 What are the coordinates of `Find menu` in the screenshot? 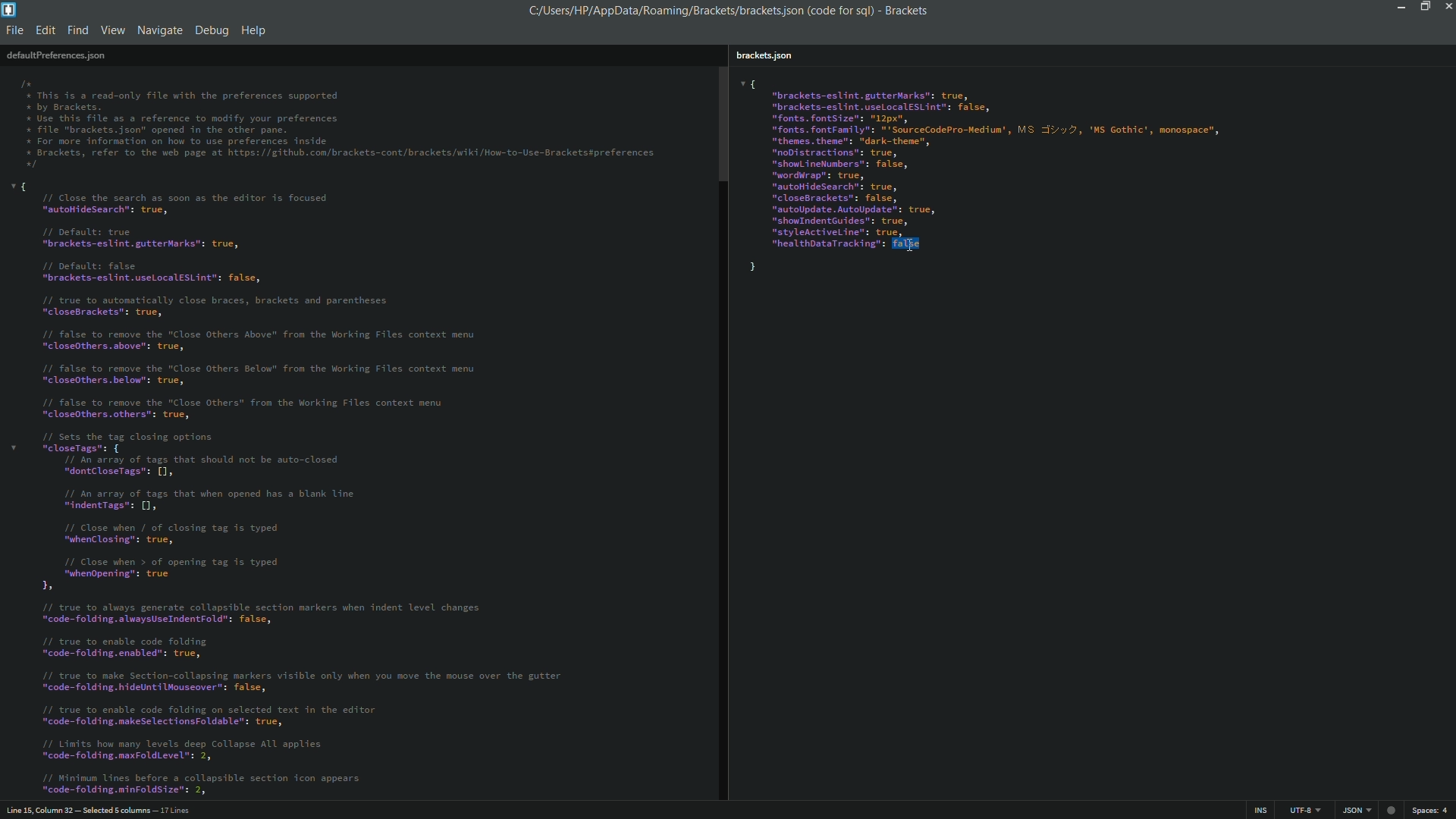 It's located at (77, 31).